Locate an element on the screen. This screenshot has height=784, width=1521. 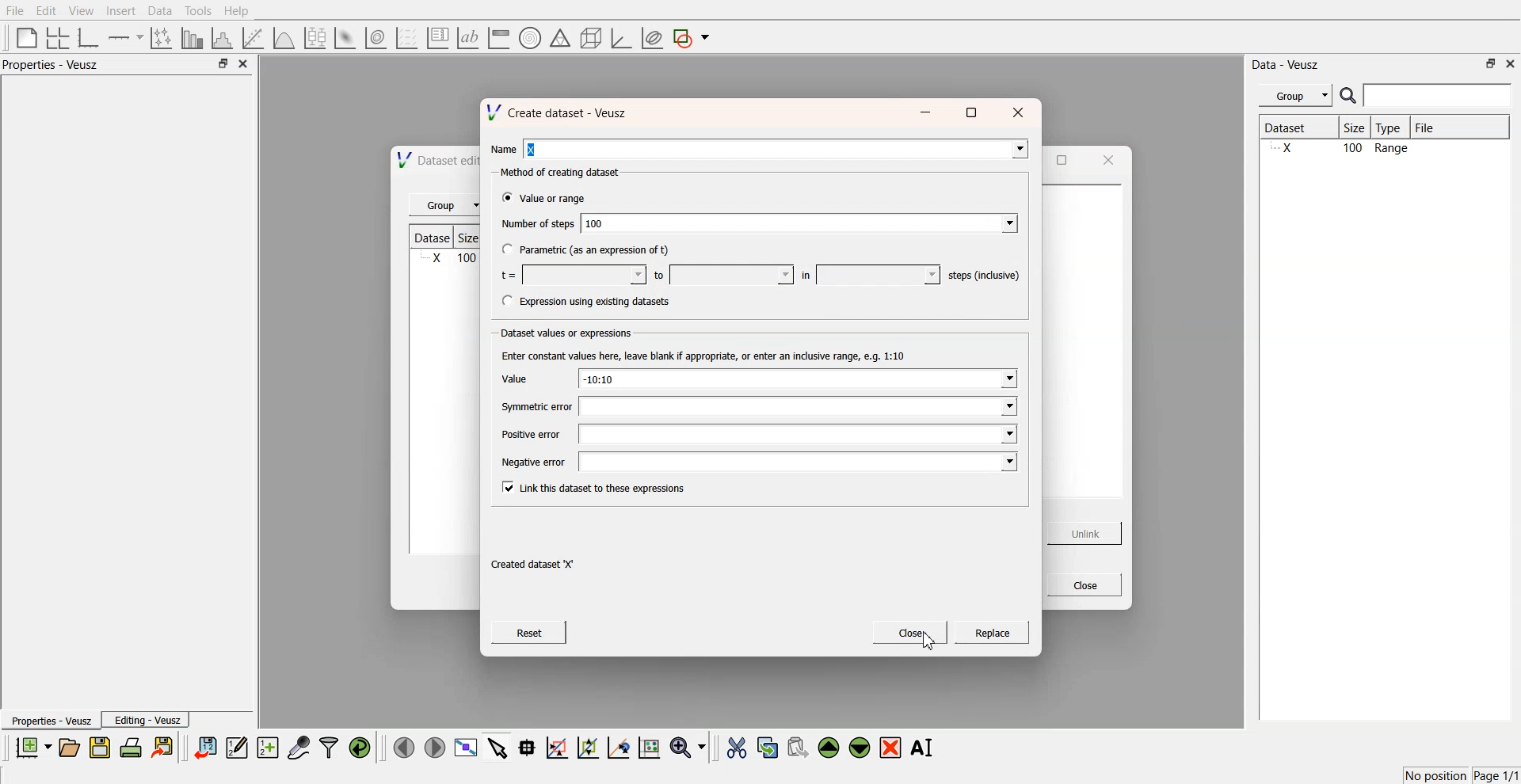
move  the selected widgets down is located at coordinates (860, 746).